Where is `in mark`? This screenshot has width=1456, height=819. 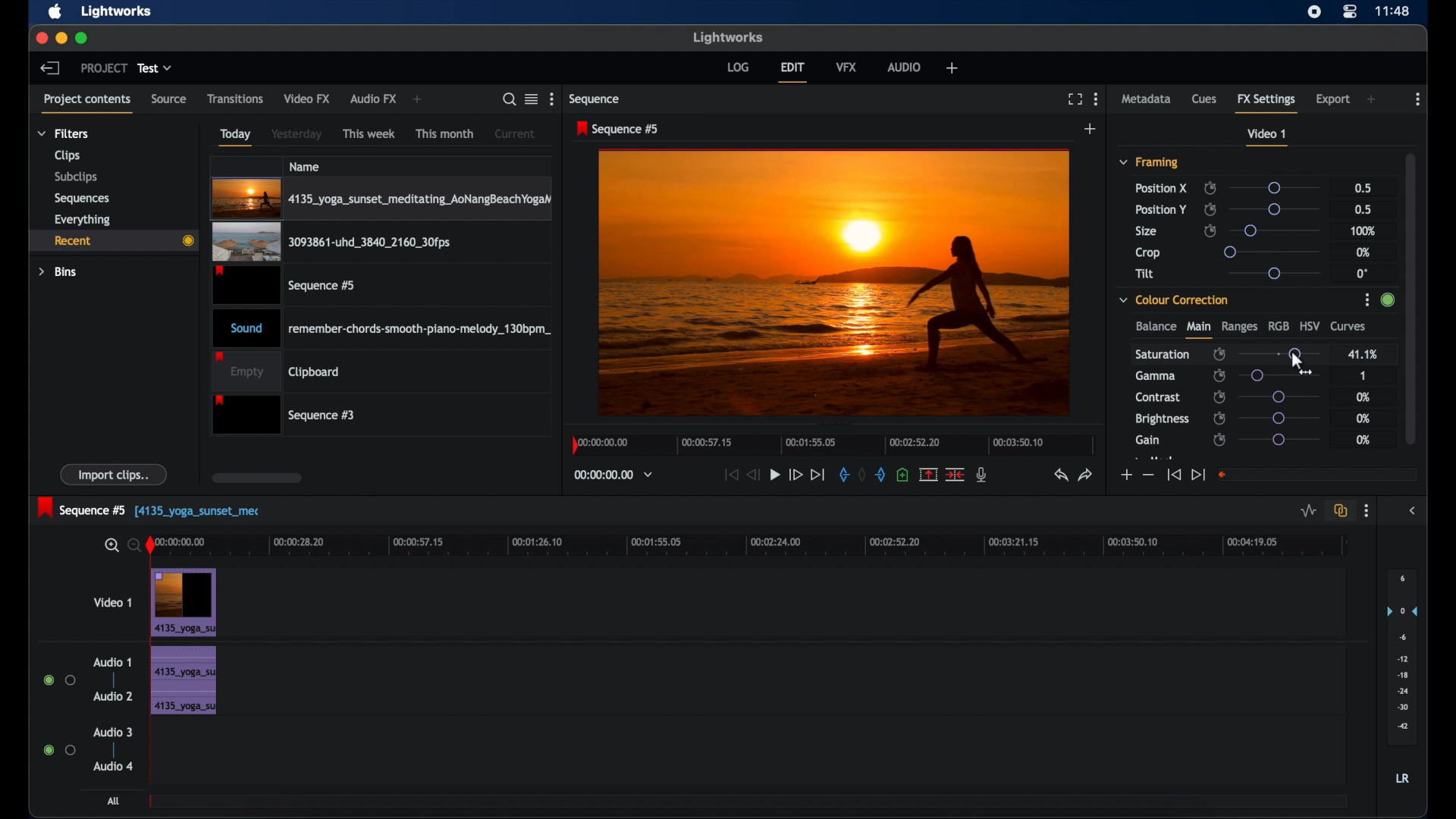
in mark is located at coordinates (843, 474).